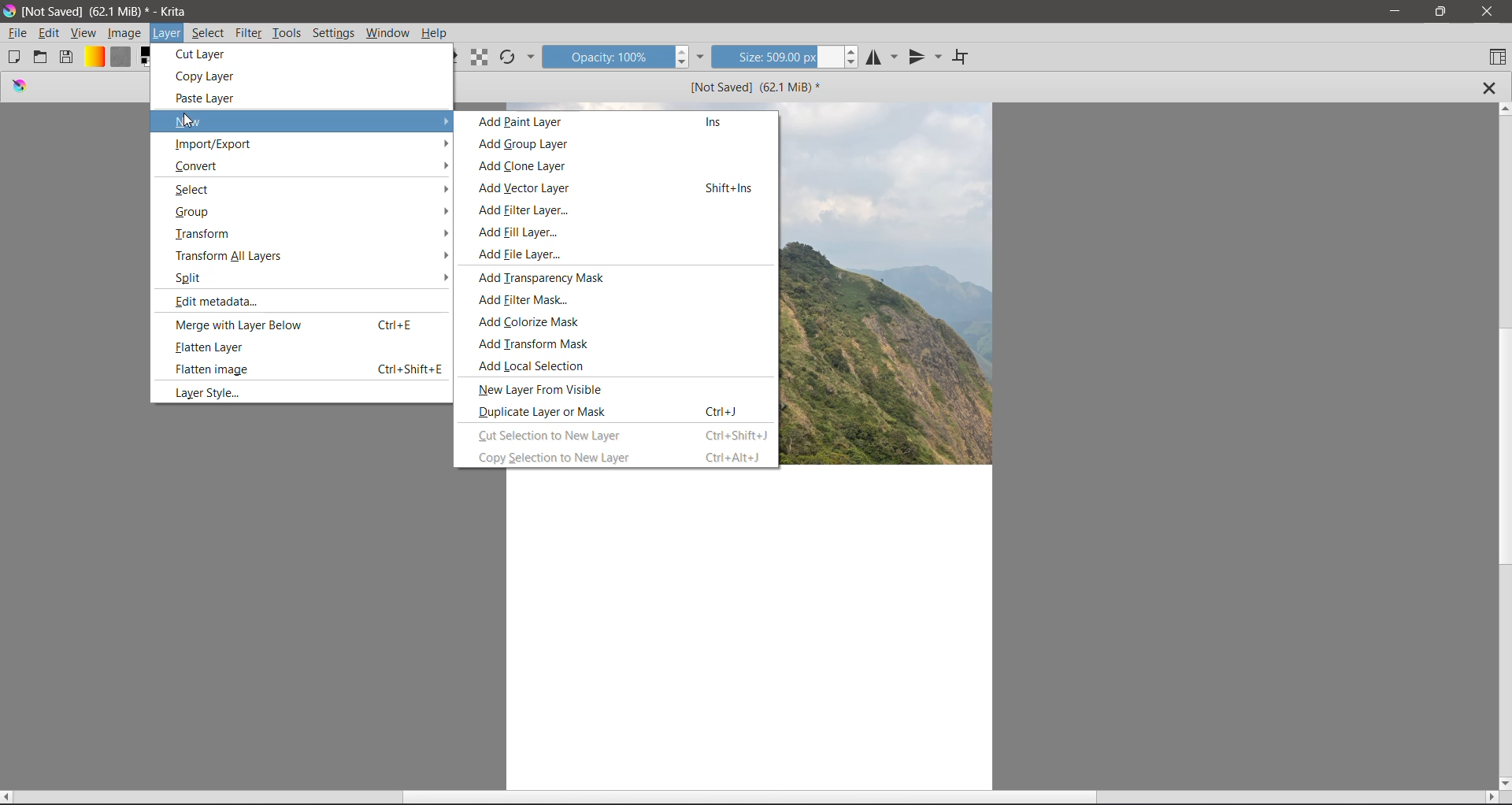  Describe the element at coordinates (20, 88) in the screenshot. I see `logo` at that location.